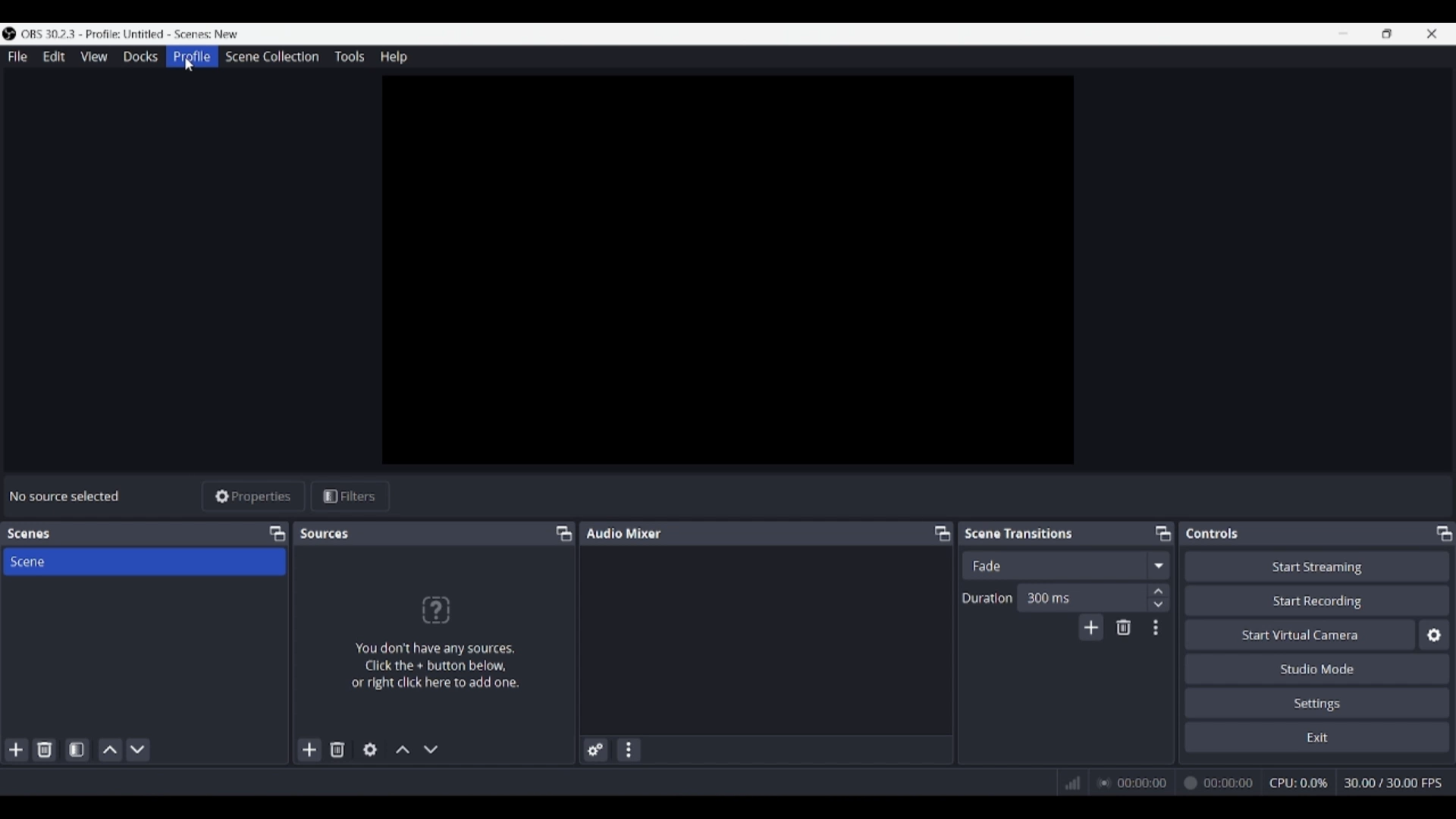  I want to click on Indicates duration, so click(987, 598).